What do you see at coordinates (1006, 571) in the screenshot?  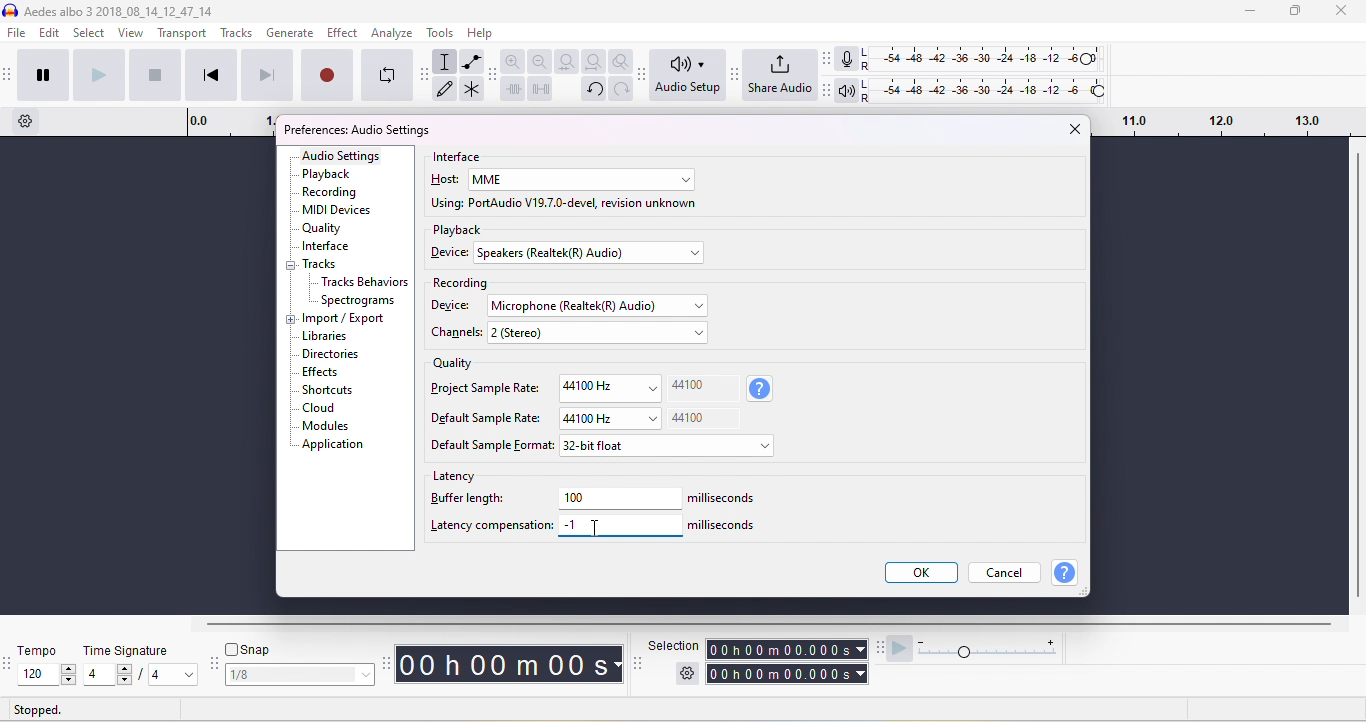 I see `cancel` at bounding box center [1006, 571].